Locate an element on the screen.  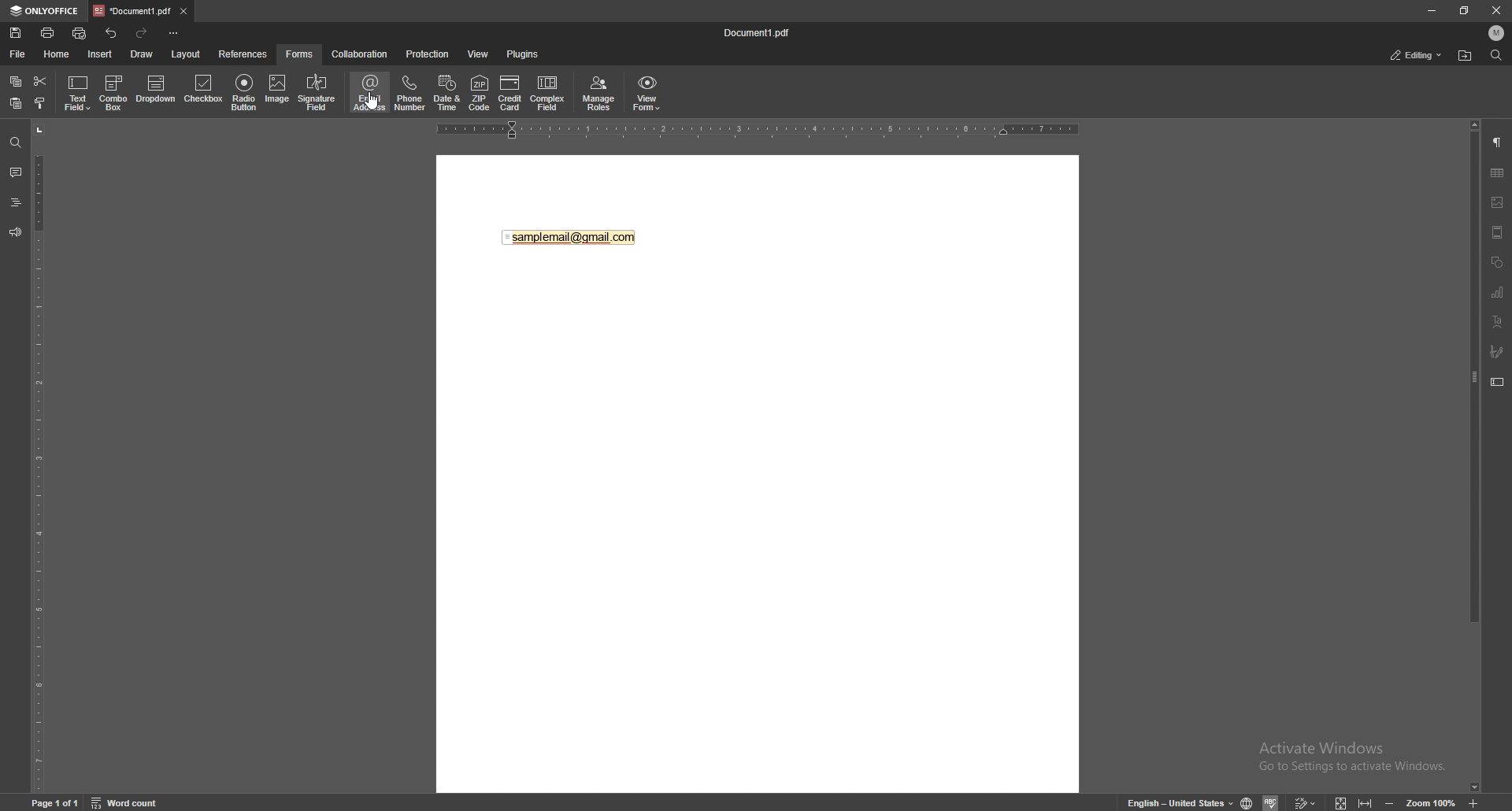
manage roles is located at coordinates (599, 93).